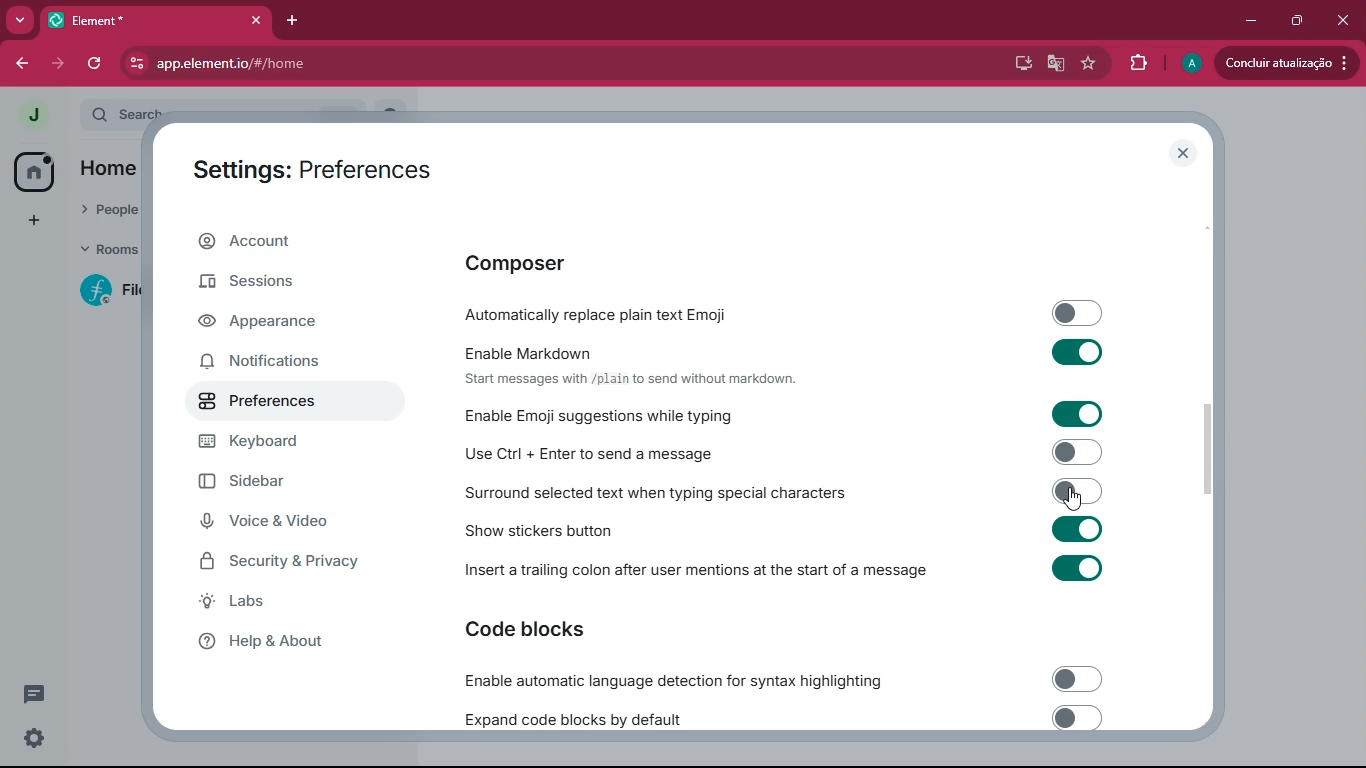 Image resolution: width=1366 pixels, height=768 pixels. Describe the element at coordinates (1185, 155) in the screenshot. I see `close` at that location.